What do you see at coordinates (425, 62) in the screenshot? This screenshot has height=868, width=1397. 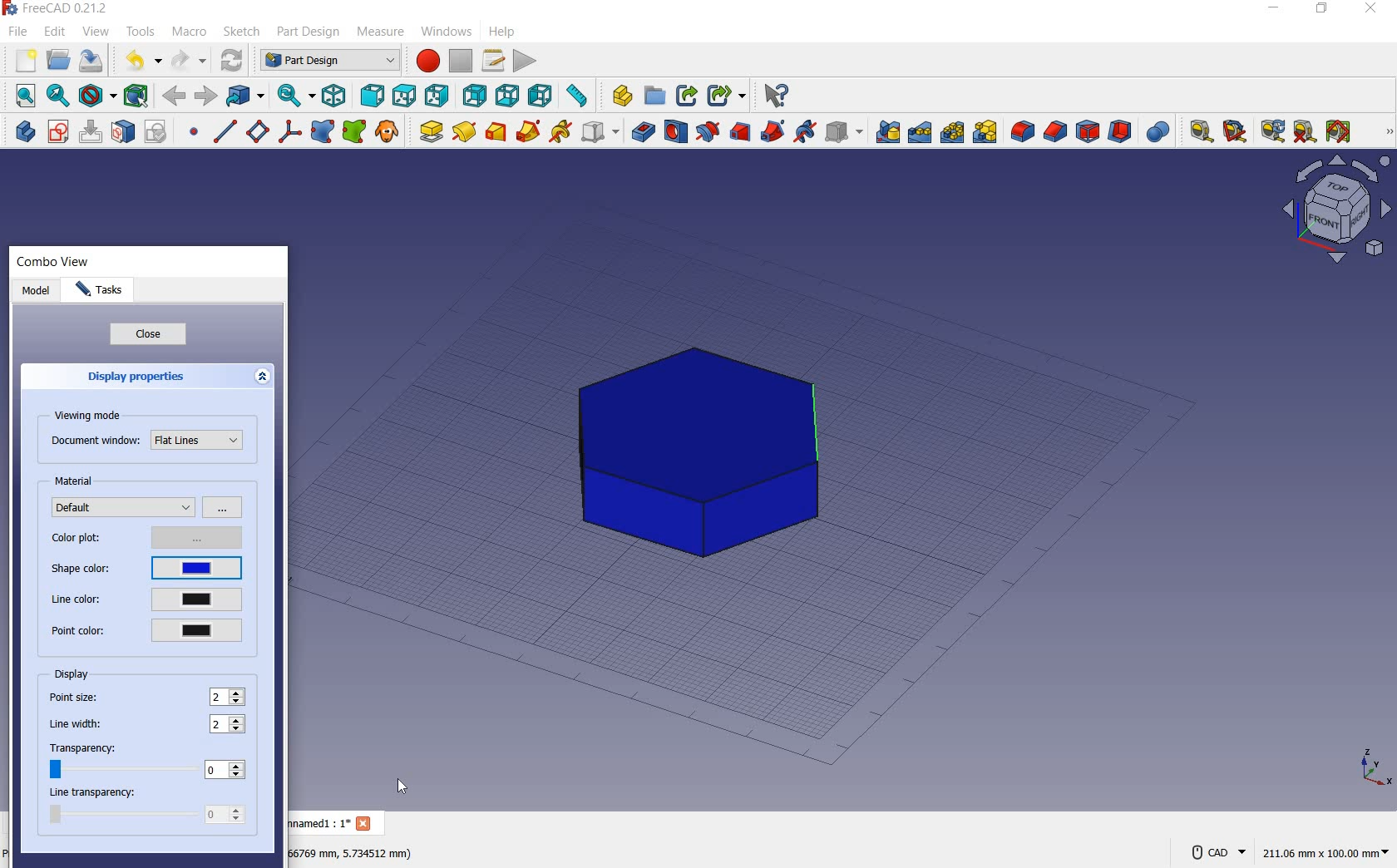 I see `macro recording` at bounding box center [425, 62].